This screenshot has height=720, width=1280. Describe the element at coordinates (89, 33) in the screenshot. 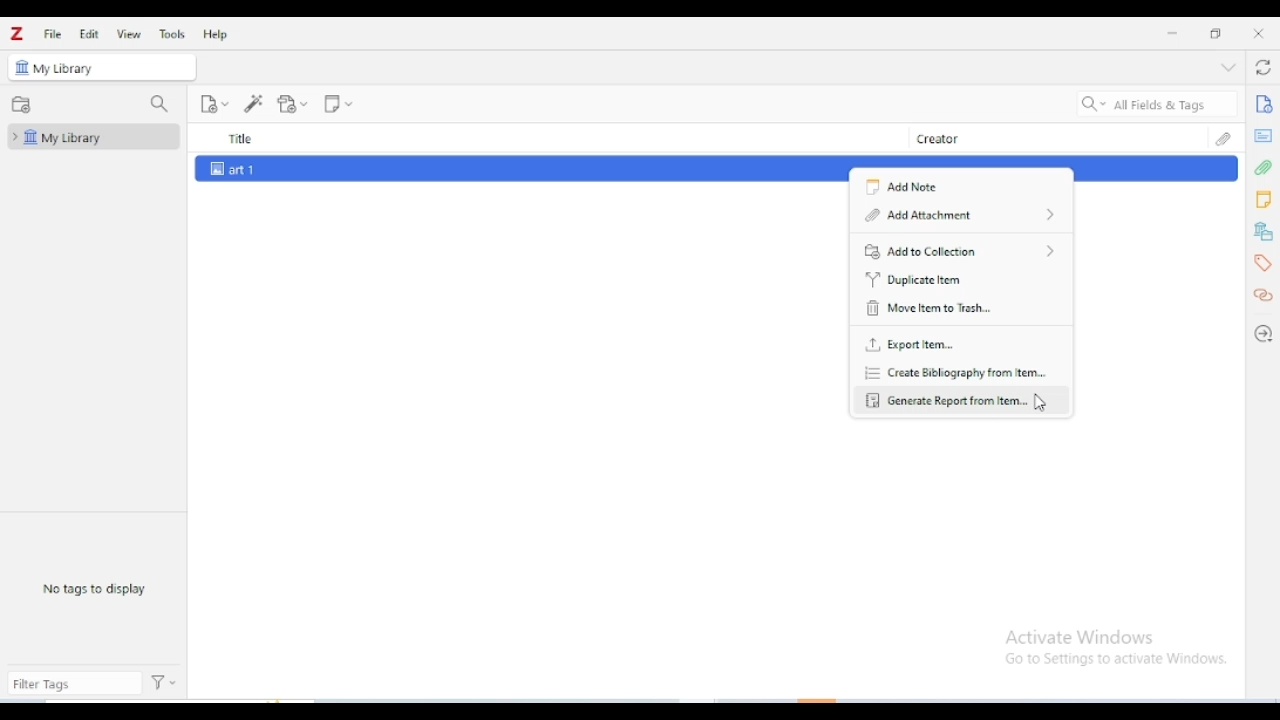

I see `edit` at that location.